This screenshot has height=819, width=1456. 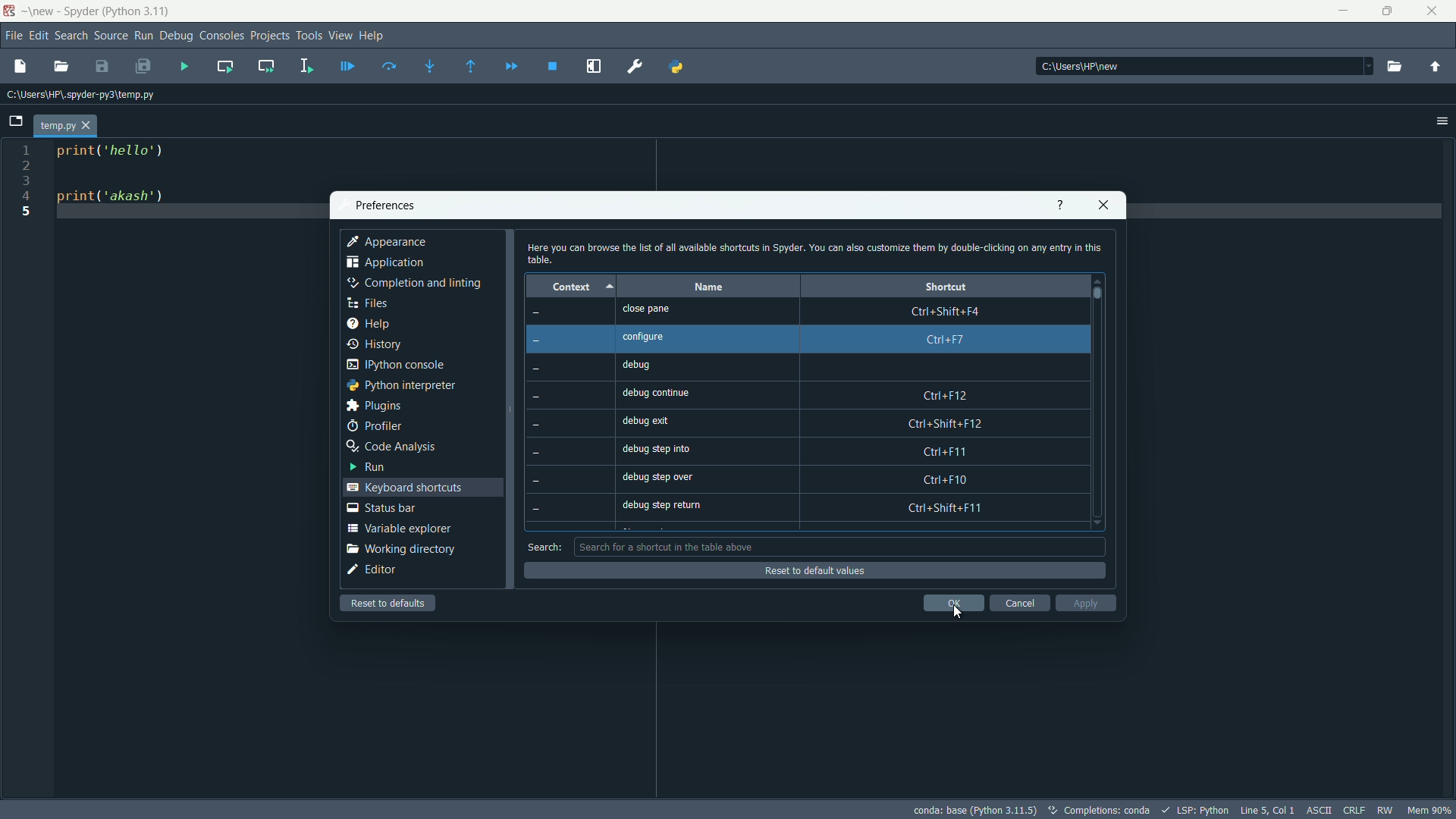 I want to click on editor, so click(x=372, y=569).